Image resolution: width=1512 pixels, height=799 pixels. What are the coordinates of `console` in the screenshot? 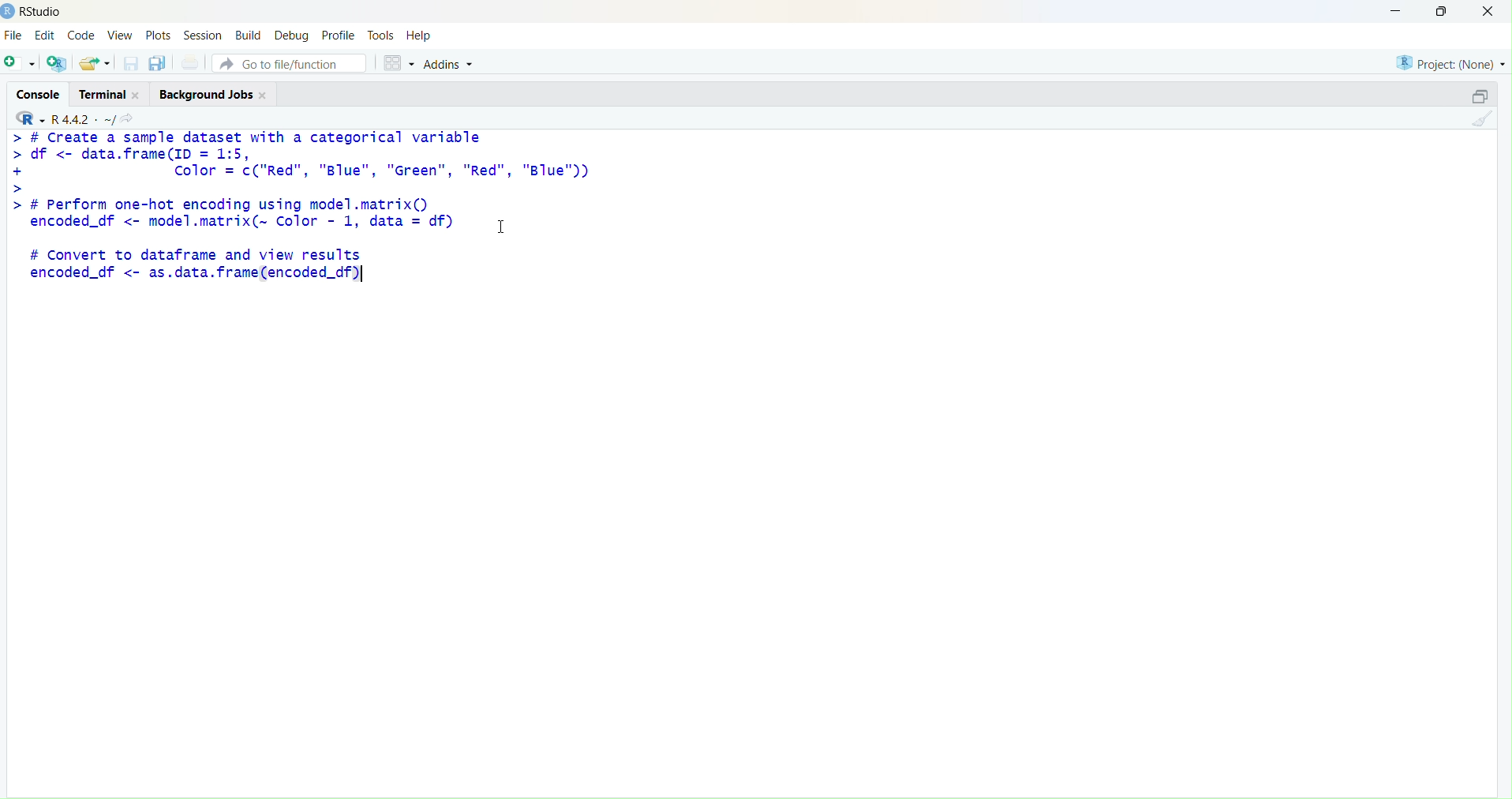 It's located at (40, 96).